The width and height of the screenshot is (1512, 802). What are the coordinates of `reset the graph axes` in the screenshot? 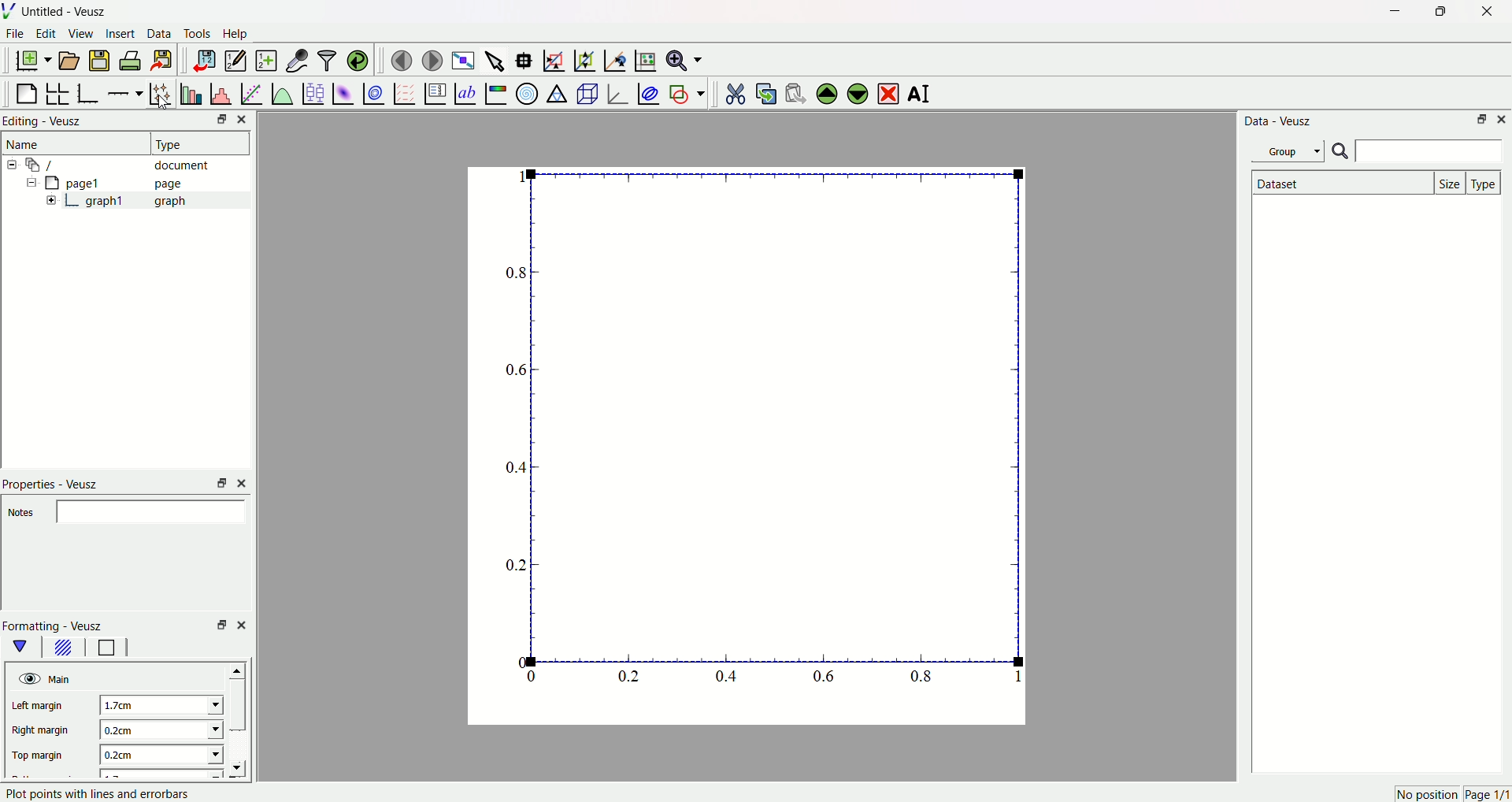 It's located at (643, 58).